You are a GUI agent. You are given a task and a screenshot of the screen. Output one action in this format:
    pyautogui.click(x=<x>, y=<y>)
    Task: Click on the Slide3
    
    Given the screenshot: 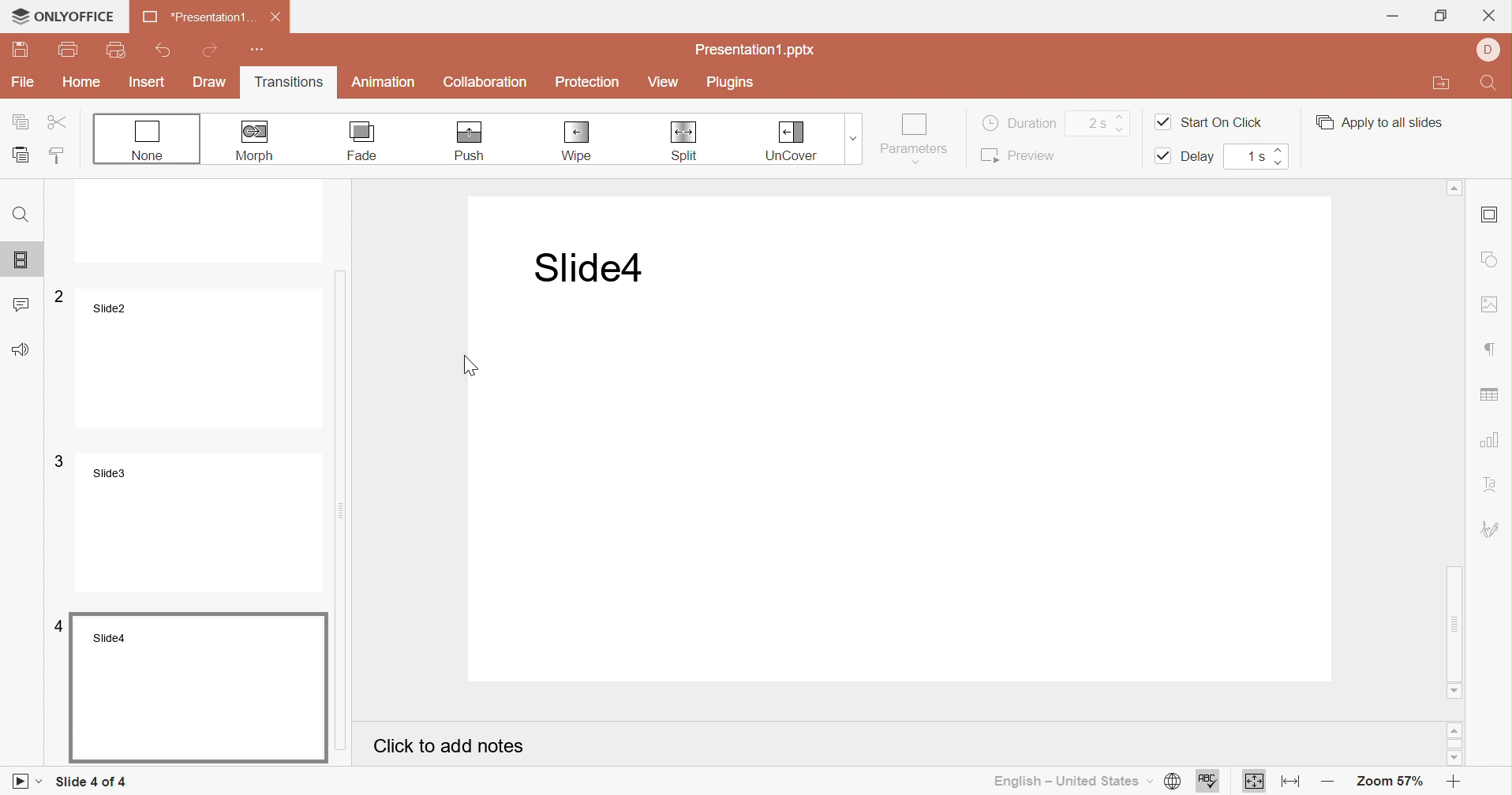 What is the action you would take?
    pyautogui.click(x=191, y=524)
    